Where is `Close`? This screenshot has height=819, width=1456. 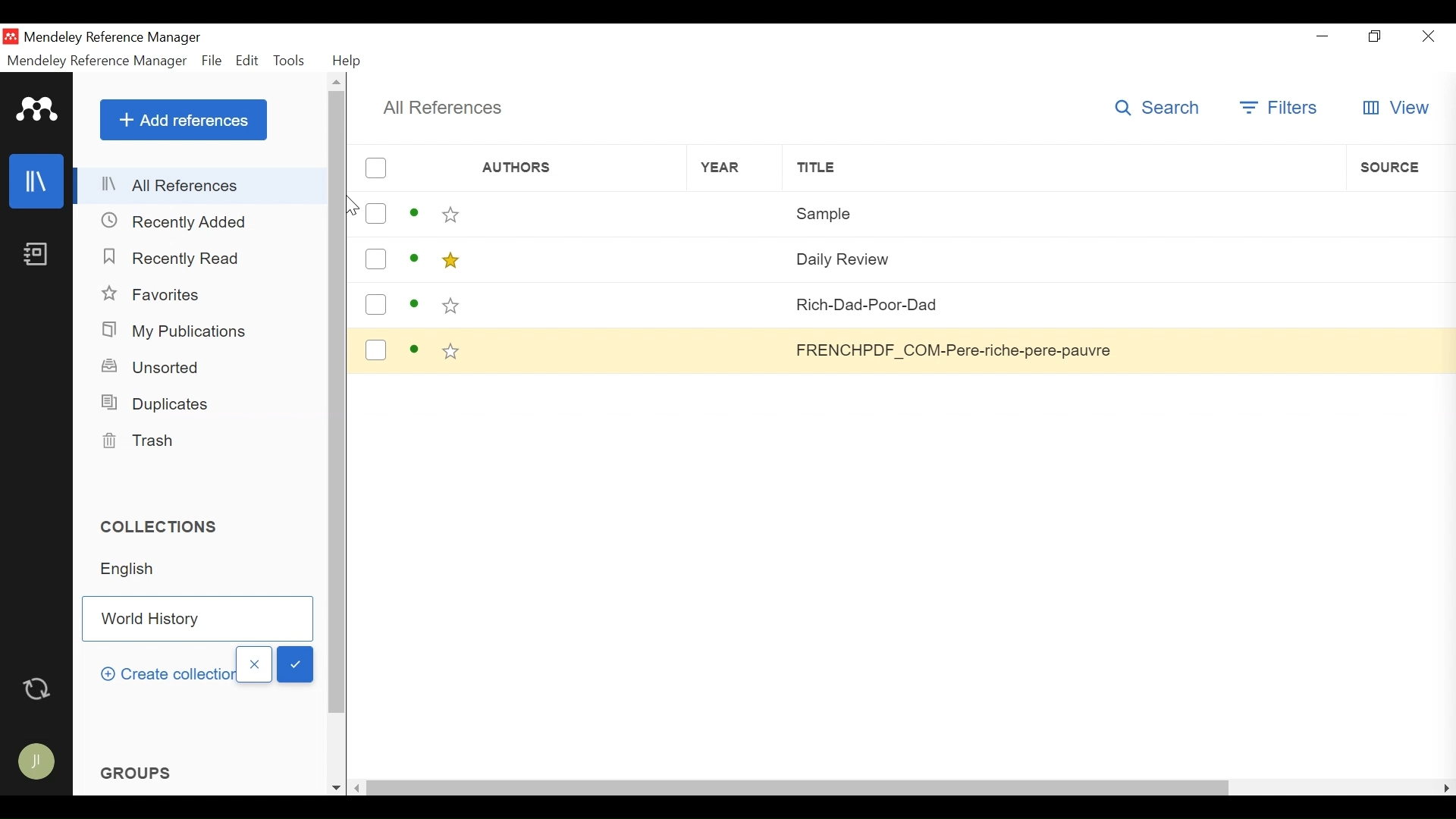
Close is located at coordinates (253, 664).